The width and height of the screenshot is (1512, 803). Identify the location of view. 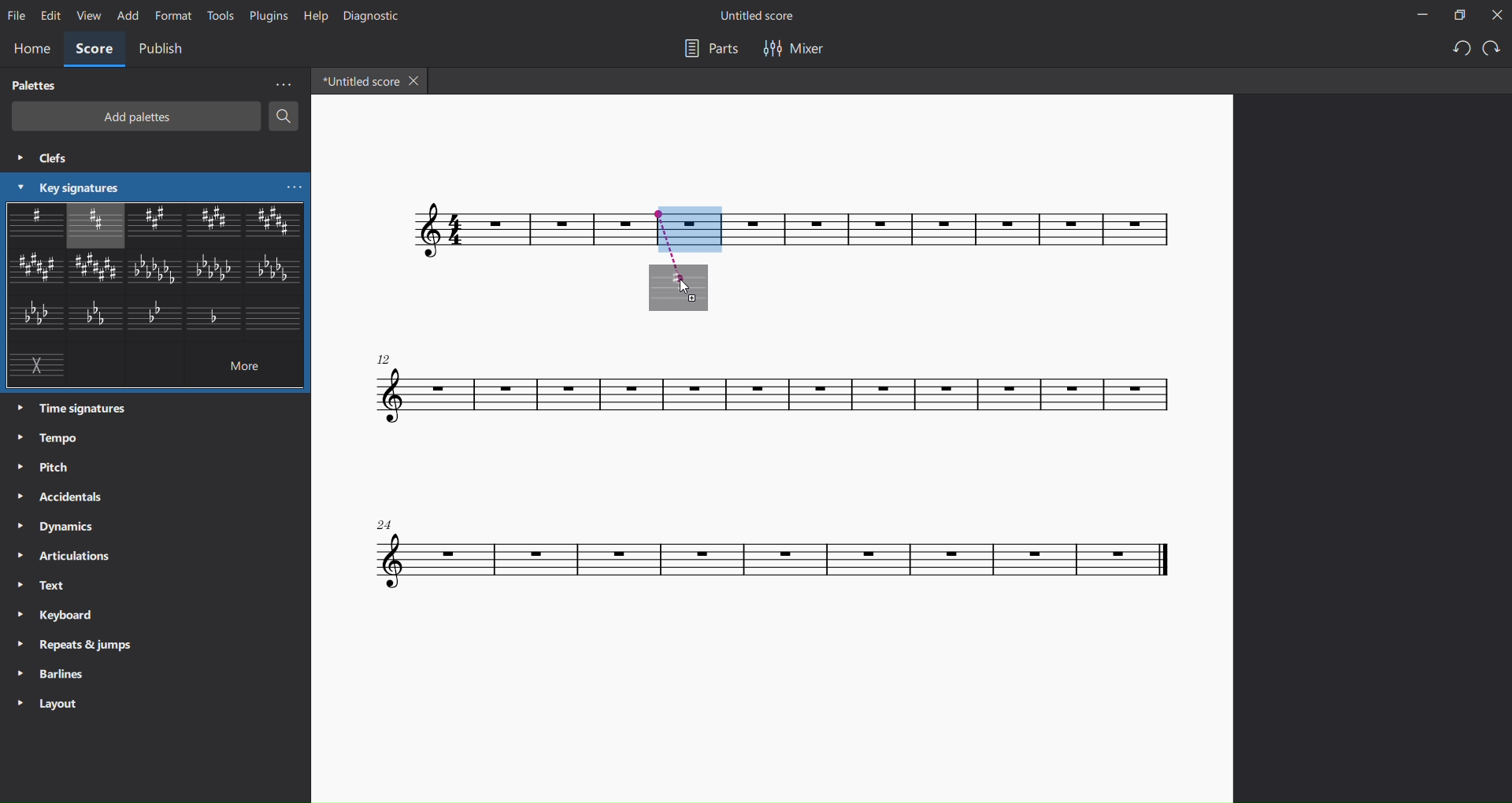
(88, 15).